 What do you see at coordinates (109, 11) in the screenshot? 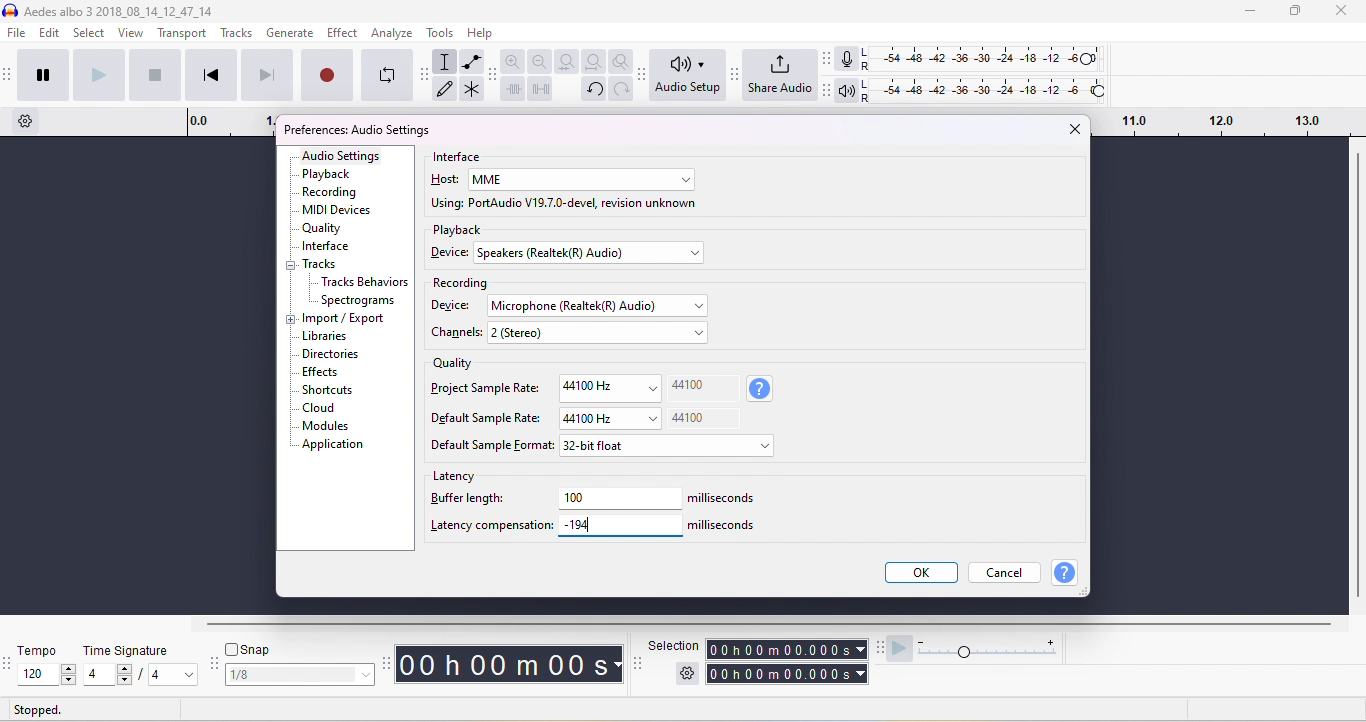
I see `aedes albo 3 3 _2018_08_14_12_47_14` at bounding box center [109, 11].